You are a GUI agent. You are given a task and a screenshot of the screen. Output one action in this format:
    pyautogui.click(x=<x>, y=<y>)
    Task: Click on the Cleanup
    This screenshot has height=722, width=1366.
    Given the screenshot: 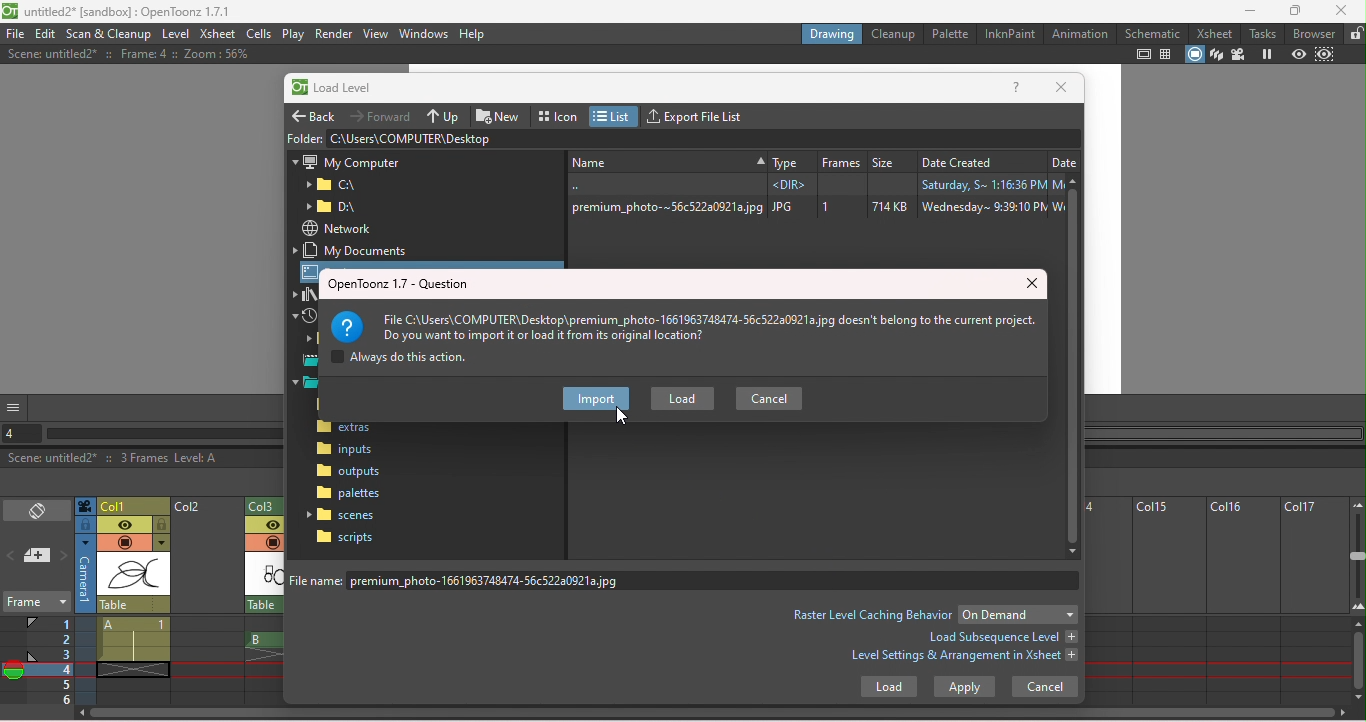 What is the action you would take?
    pyautogui.click(x=896, y=33)
    